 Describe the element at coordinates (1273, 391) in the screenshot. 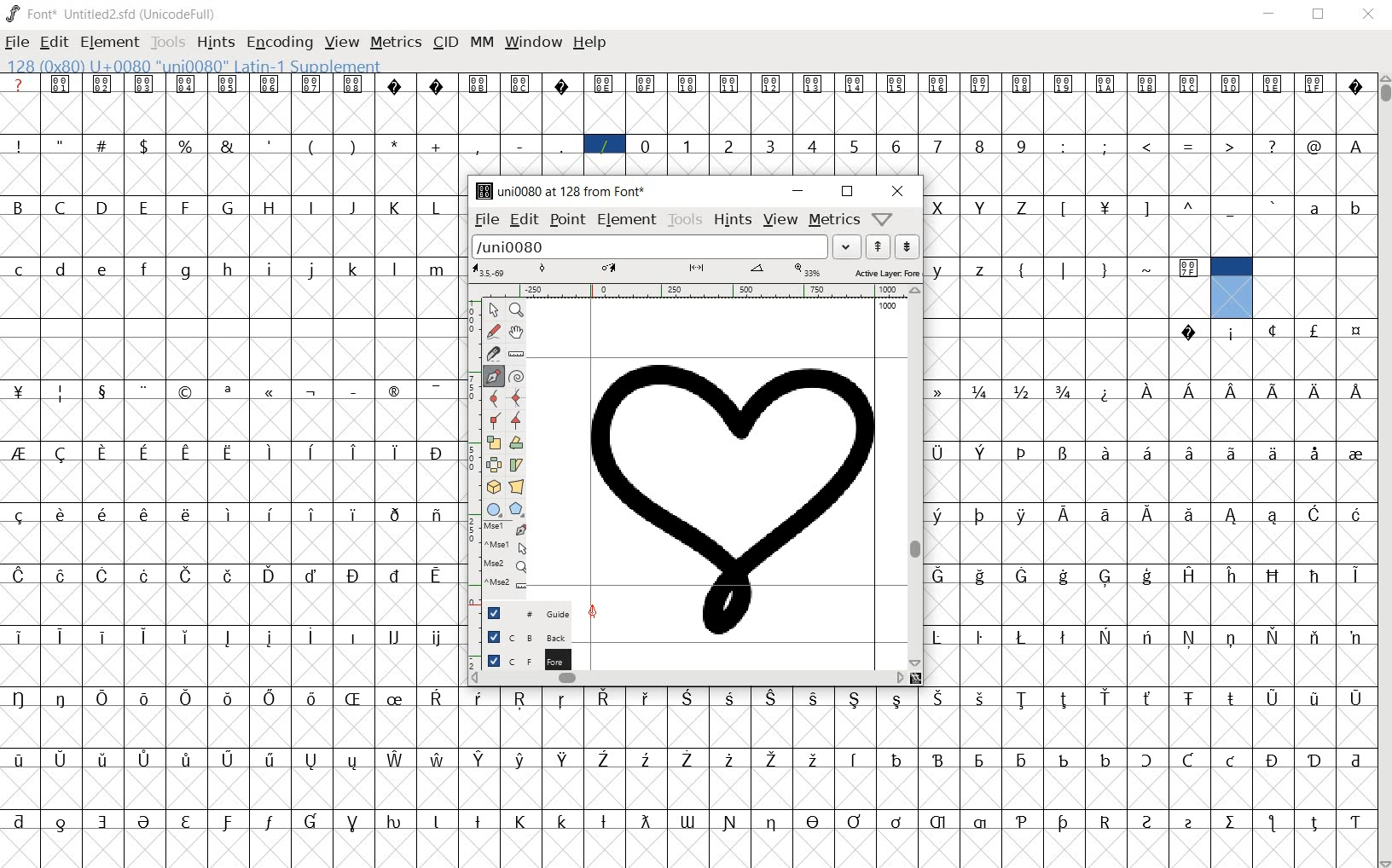

I see `glyph` at that location.